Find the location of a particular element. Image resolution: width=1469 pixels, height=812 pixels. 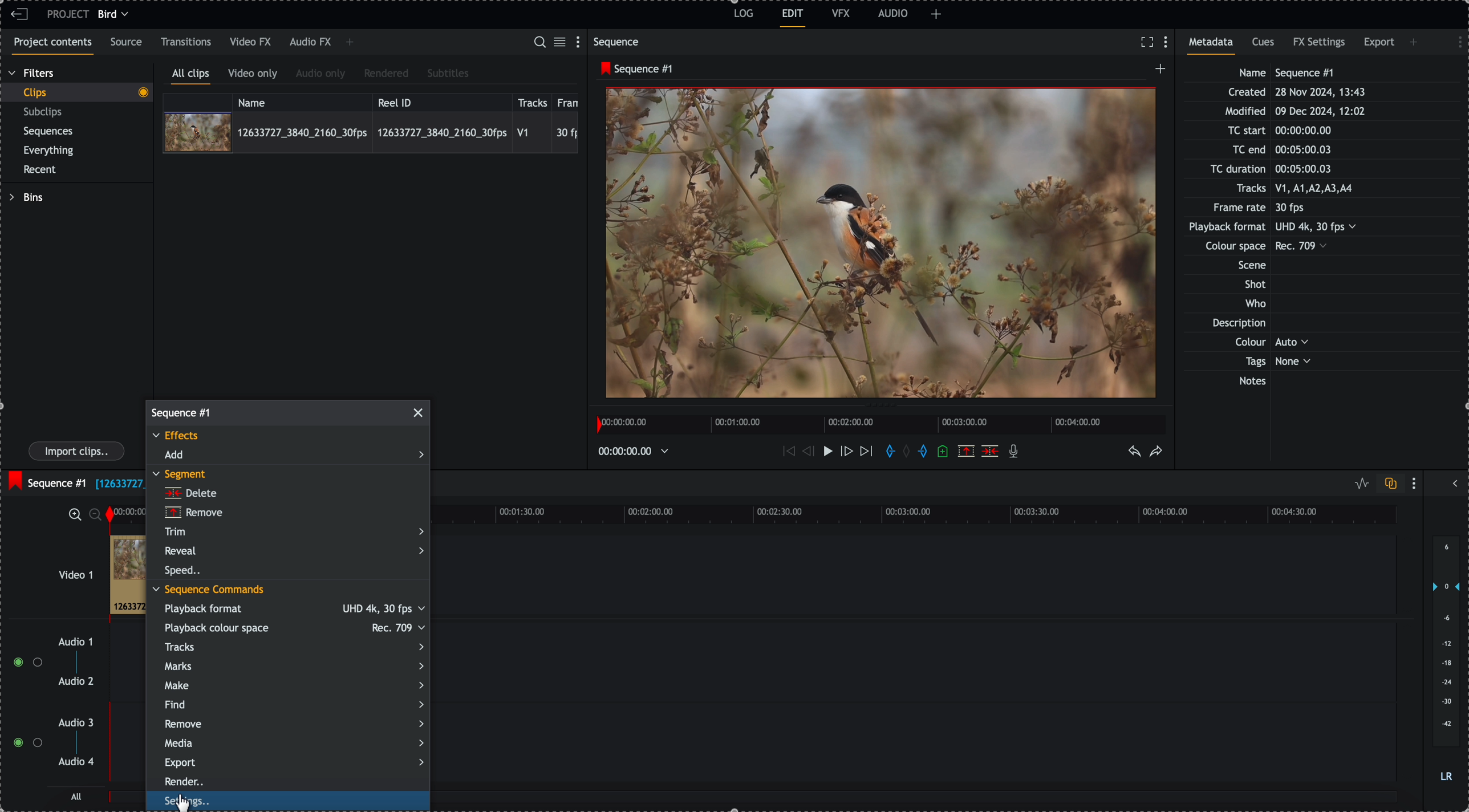

log is located at coordinates (742, 15).